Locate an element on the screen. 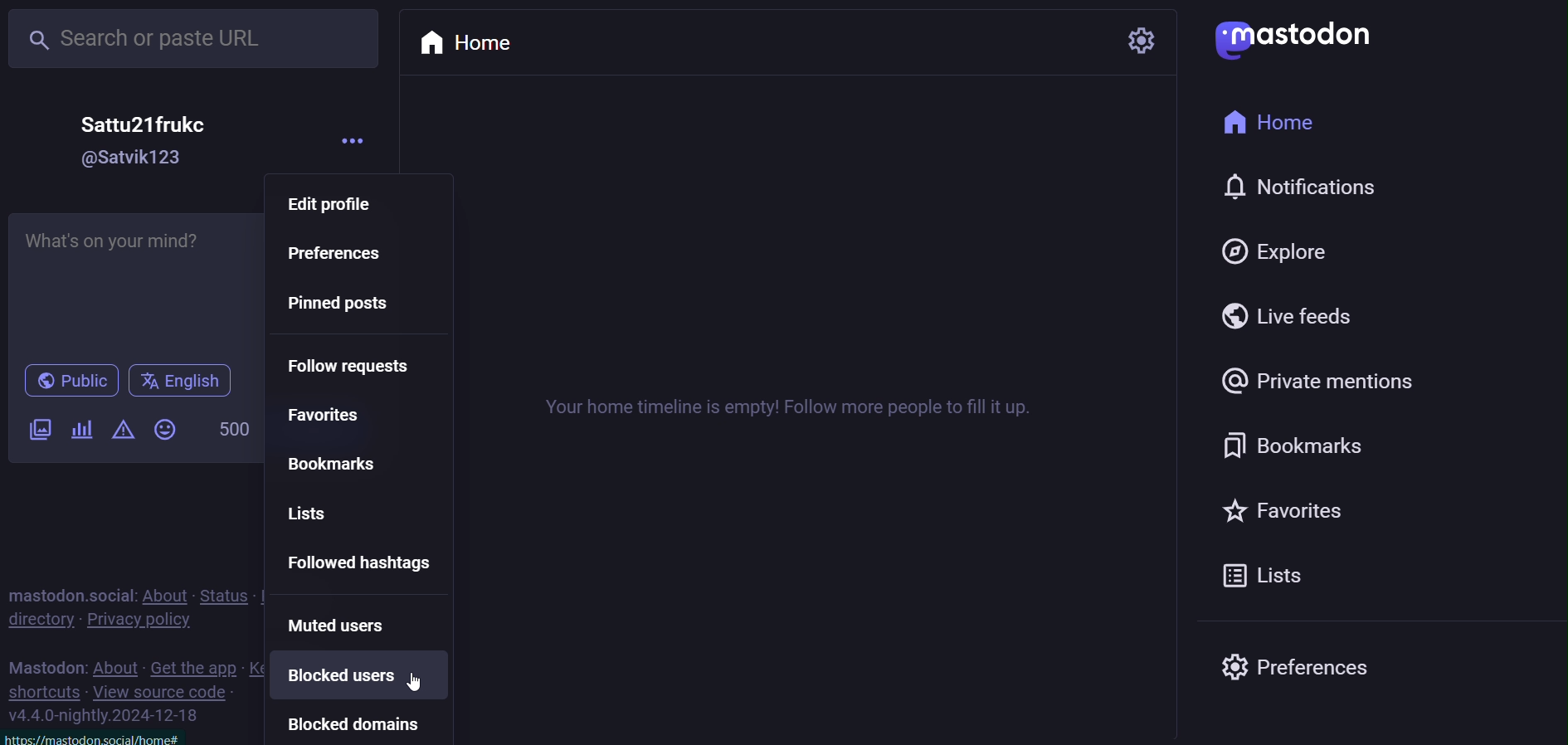 The image size is (1568, 745). add images is located at coordinates (37, 428).